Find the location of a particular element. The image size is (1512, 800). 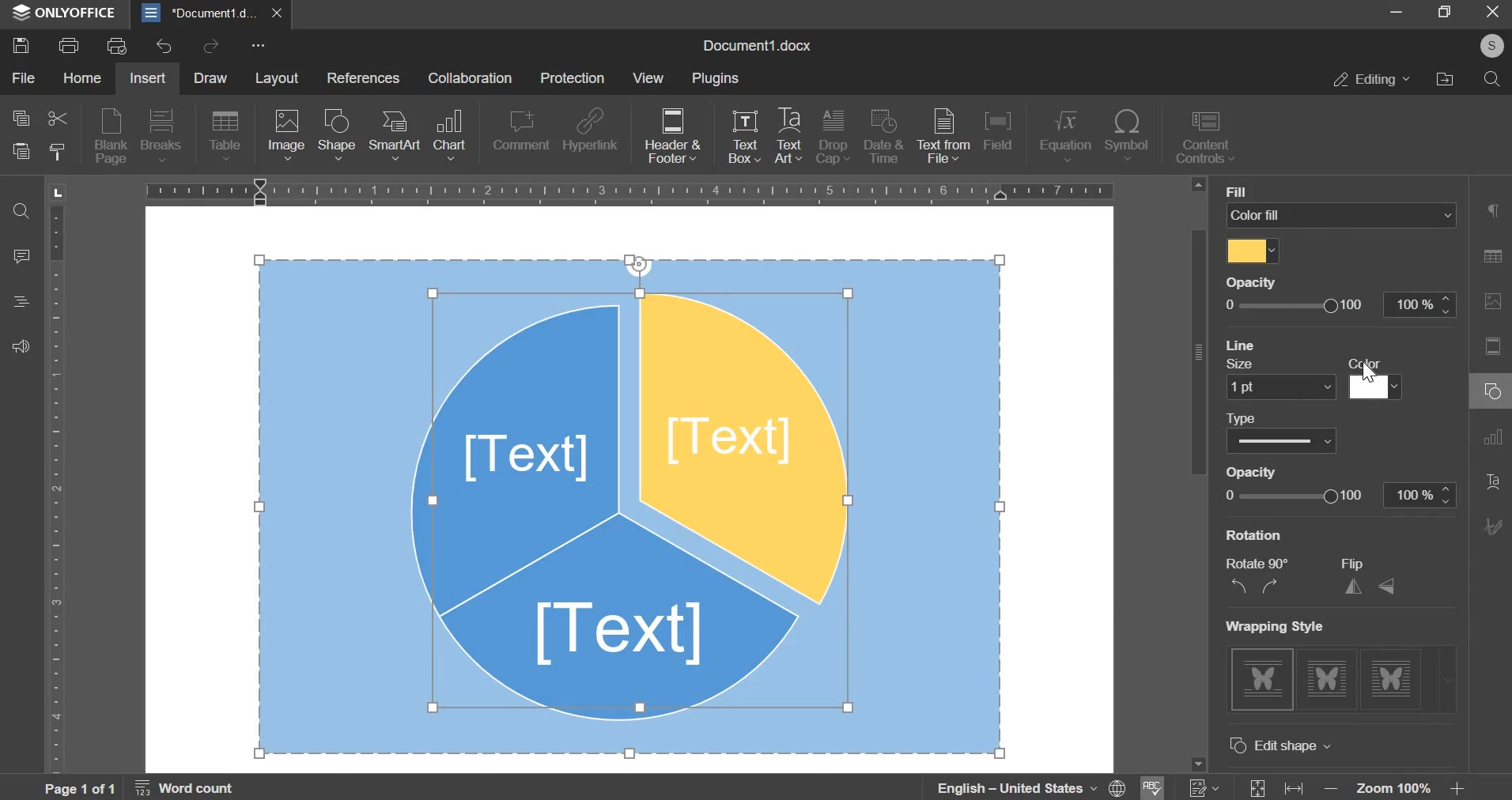

cut is located at coordinates (58, 121).